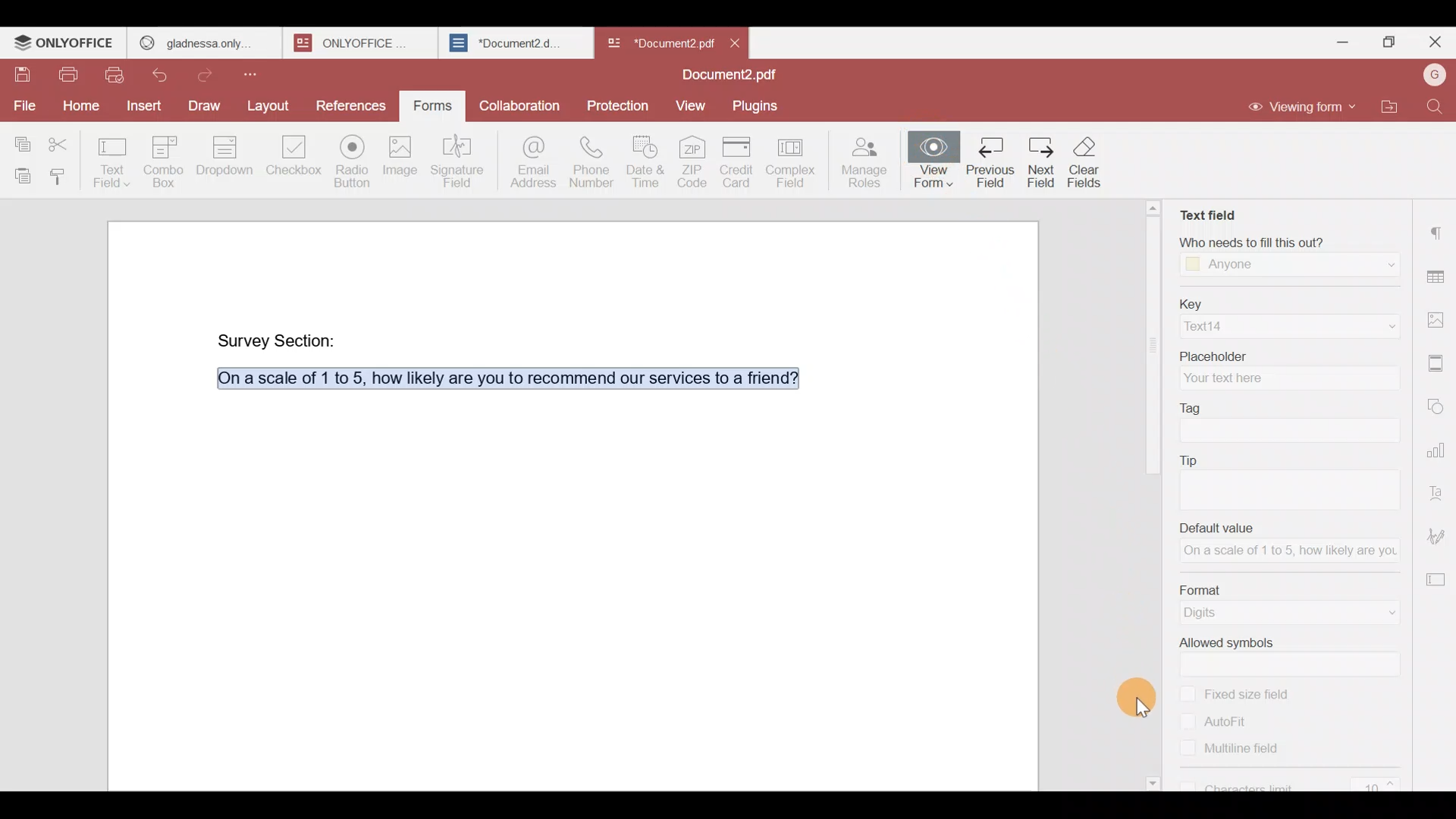  What do you see at coordinates (739, 162) in the screenshot?
I see `Credit card` at bounding box center [739, 162].